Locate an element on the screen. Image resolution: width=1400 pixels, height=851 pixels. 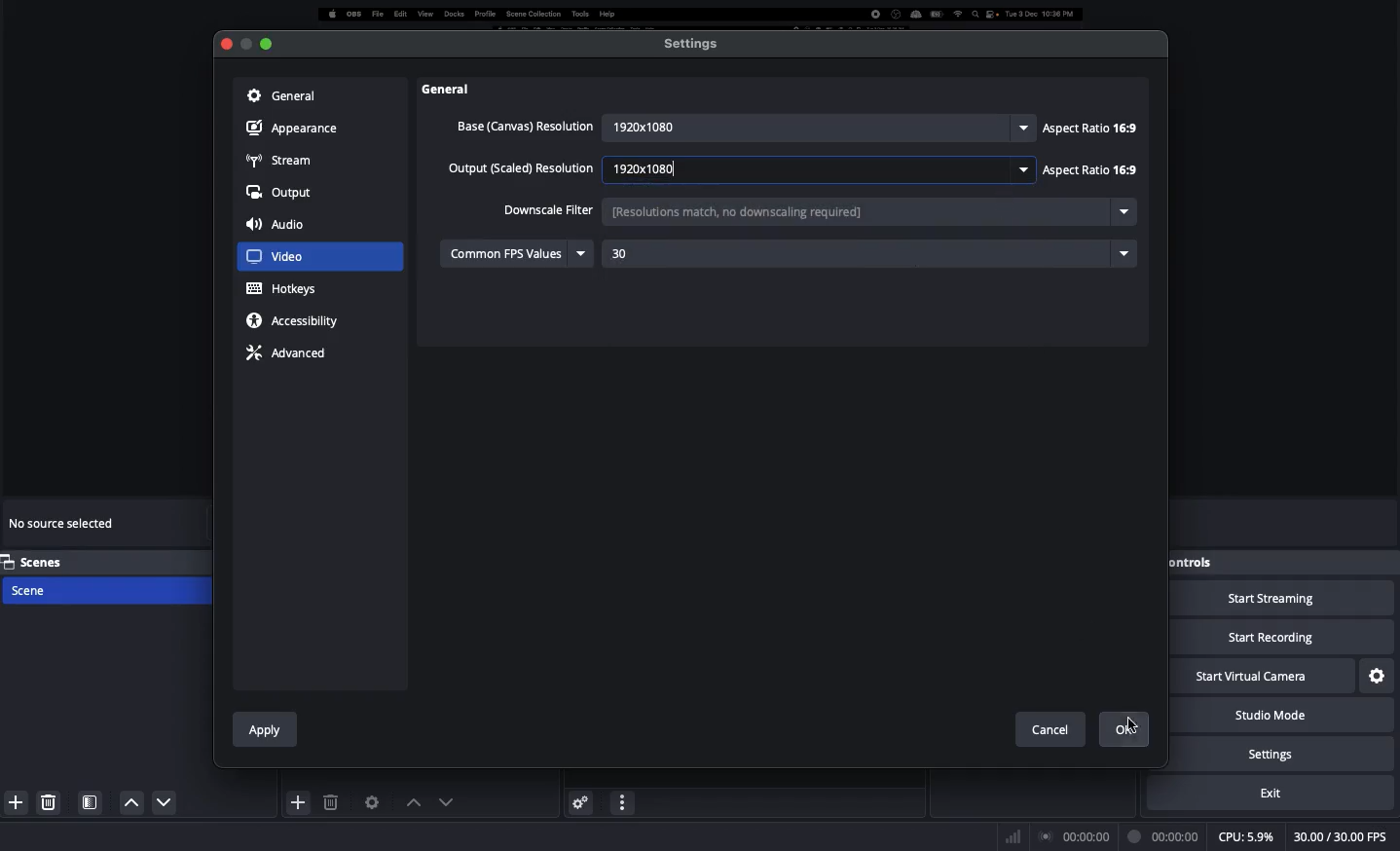
Clicked is located at coordinates (287, 257).